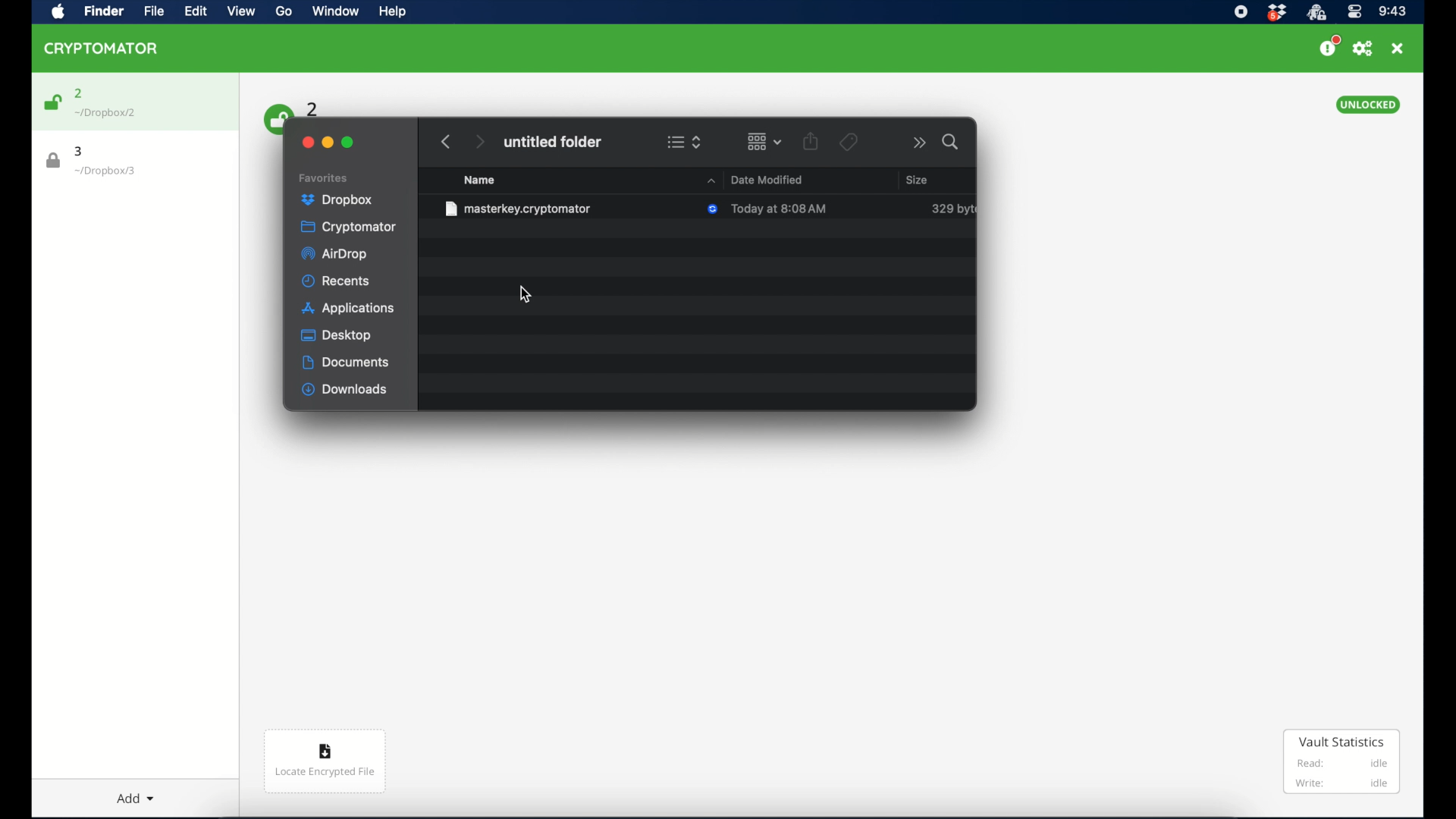  Describe the element at coordinates (129, 792) in the screenshot. I see `add dropdown` at that location.